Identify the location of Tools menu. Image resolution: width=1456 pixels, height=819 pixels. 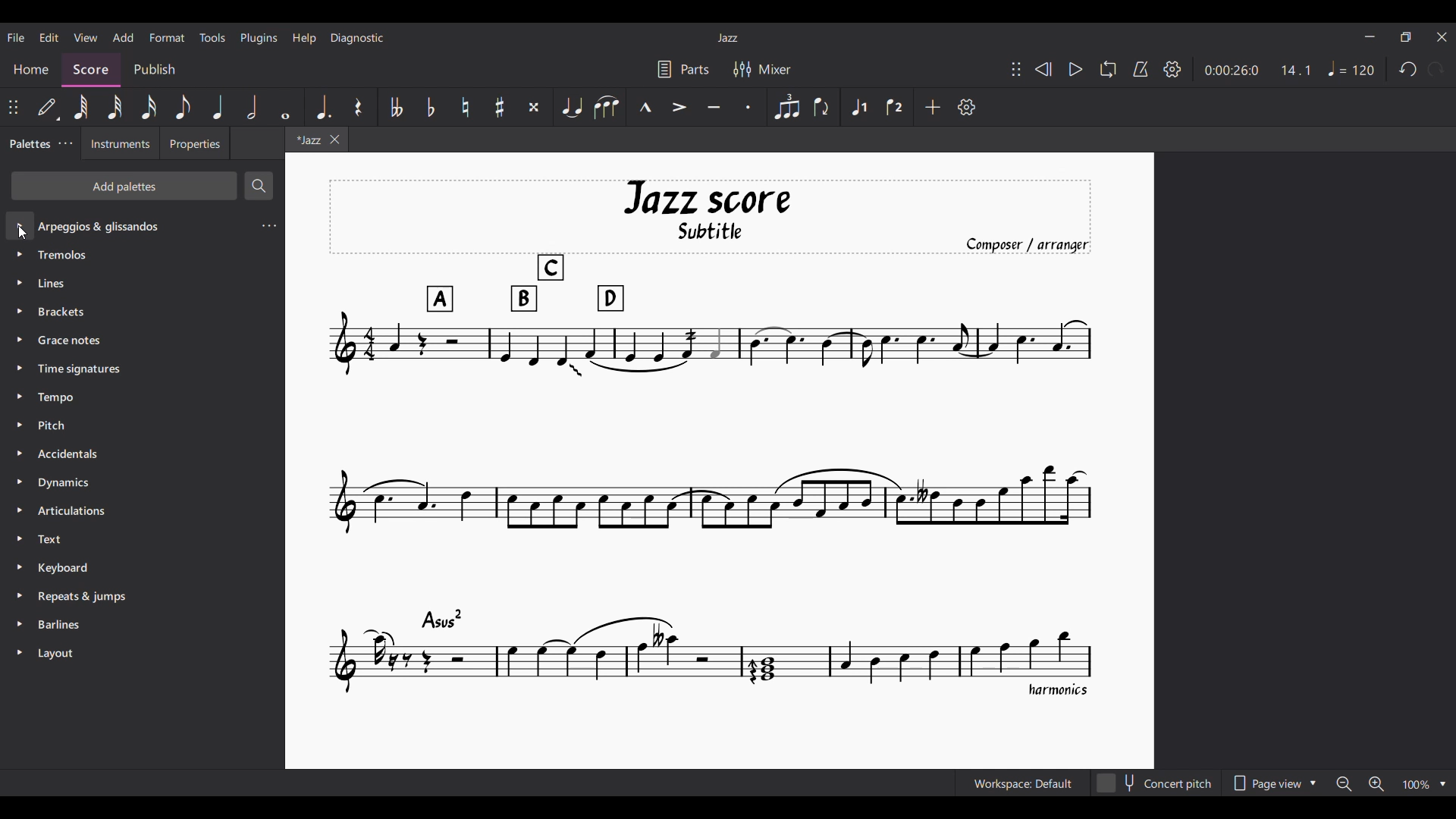
(213, 37).